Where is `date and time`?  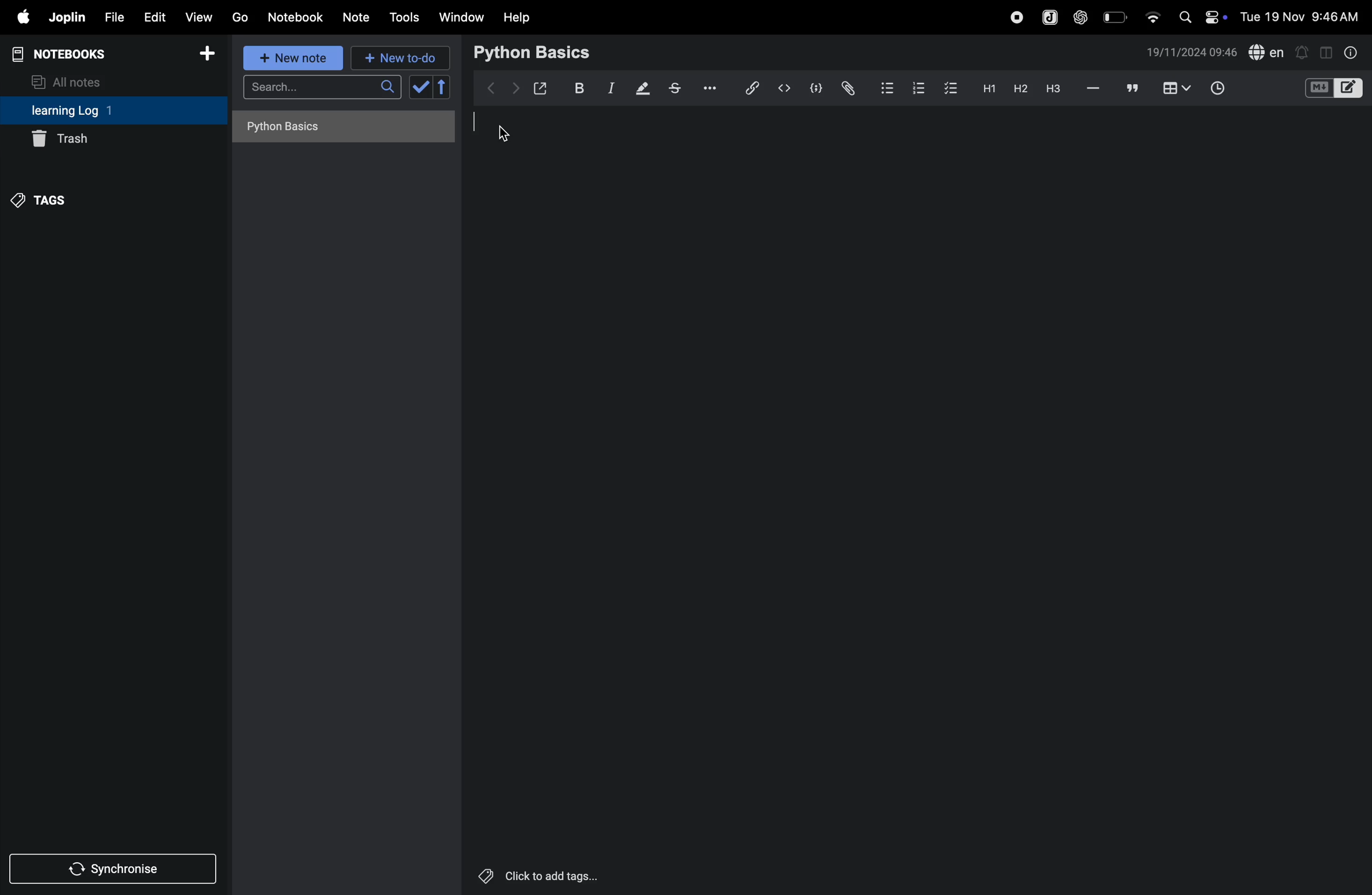 date and time is located at coordinates (1192, 52).